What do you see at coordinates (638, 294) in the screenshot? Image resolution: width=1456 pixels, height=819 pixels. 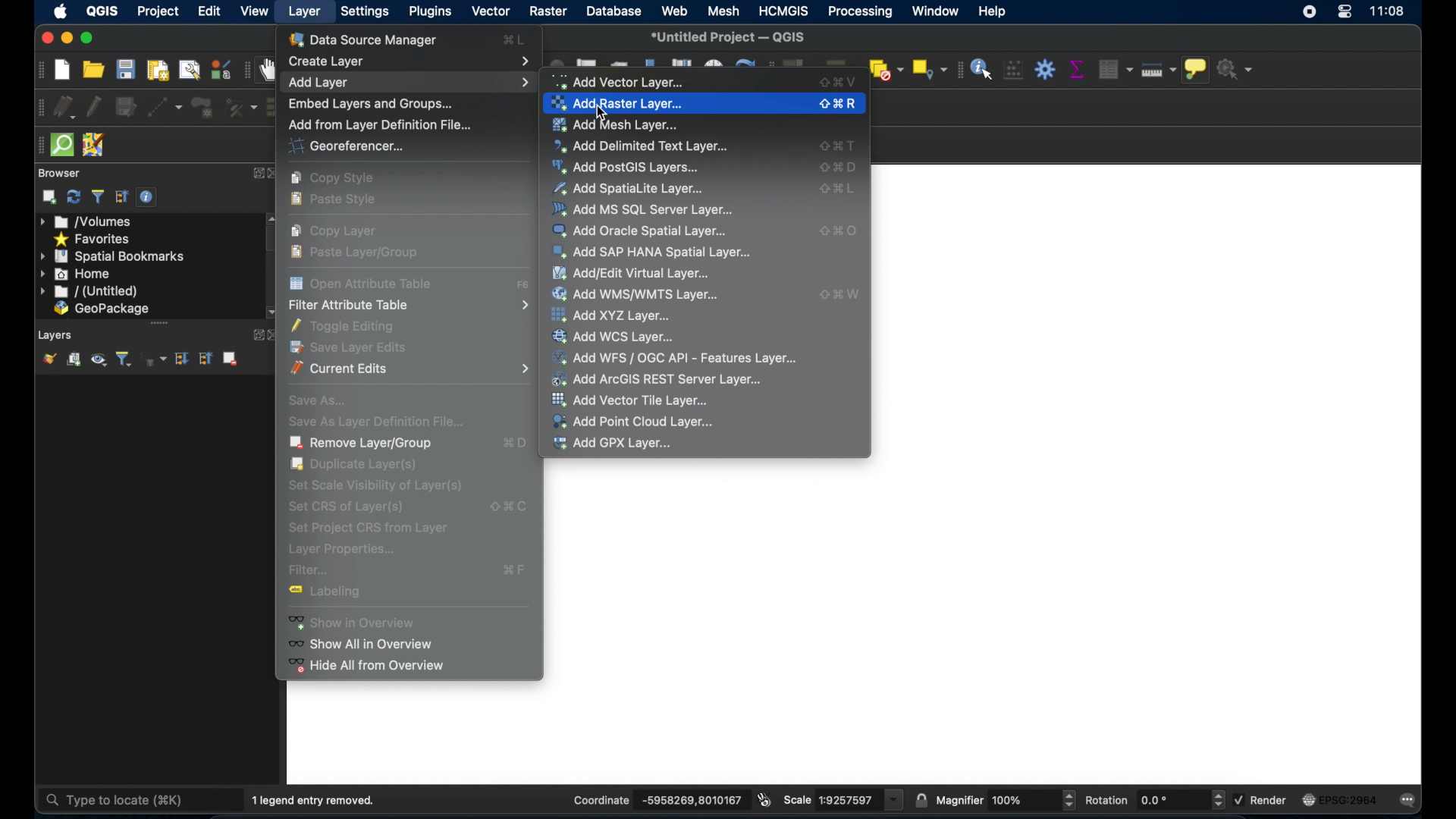 I see `add wms/wmts layer` at bounding box center [638, 294].